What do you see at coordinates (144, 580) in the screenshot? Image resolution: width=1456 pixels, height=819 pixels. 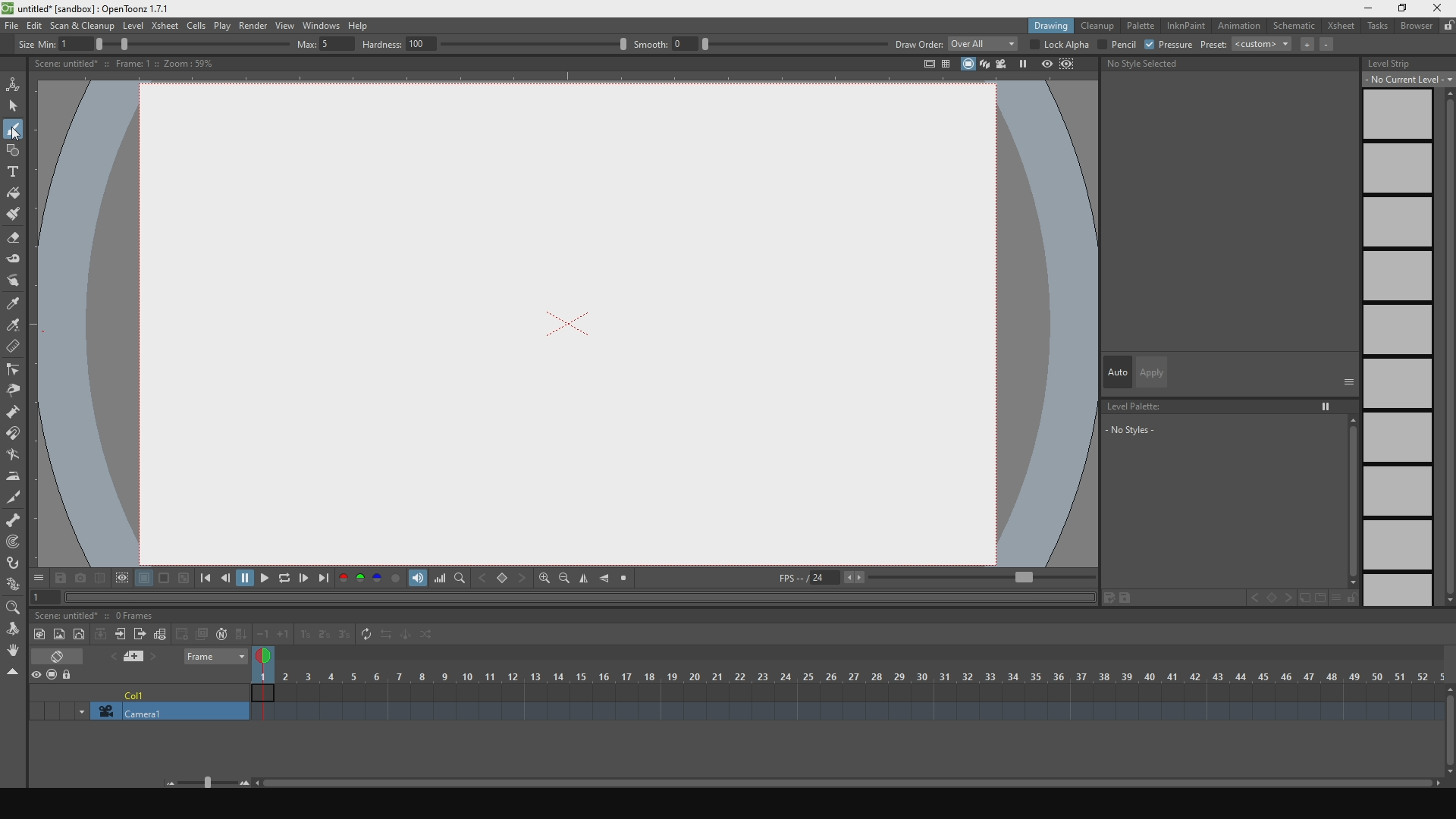 I see `white background` at bounding box center [144, 580].